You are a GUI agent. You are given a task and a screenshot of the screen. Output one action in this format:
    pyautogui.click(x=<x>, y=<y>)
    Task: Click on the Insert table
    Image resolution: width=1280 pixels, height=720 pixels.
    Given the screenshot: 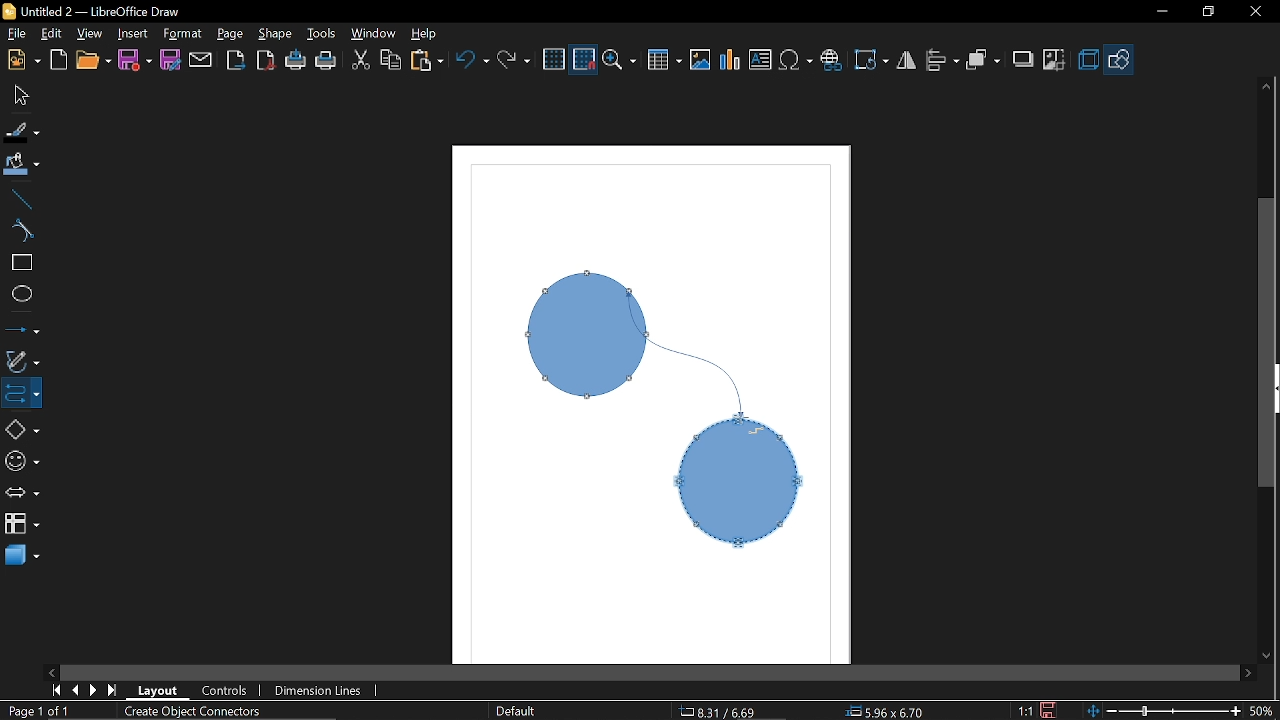 What is the action you would take?
    pyautogui.click(x=665, y=60)
    